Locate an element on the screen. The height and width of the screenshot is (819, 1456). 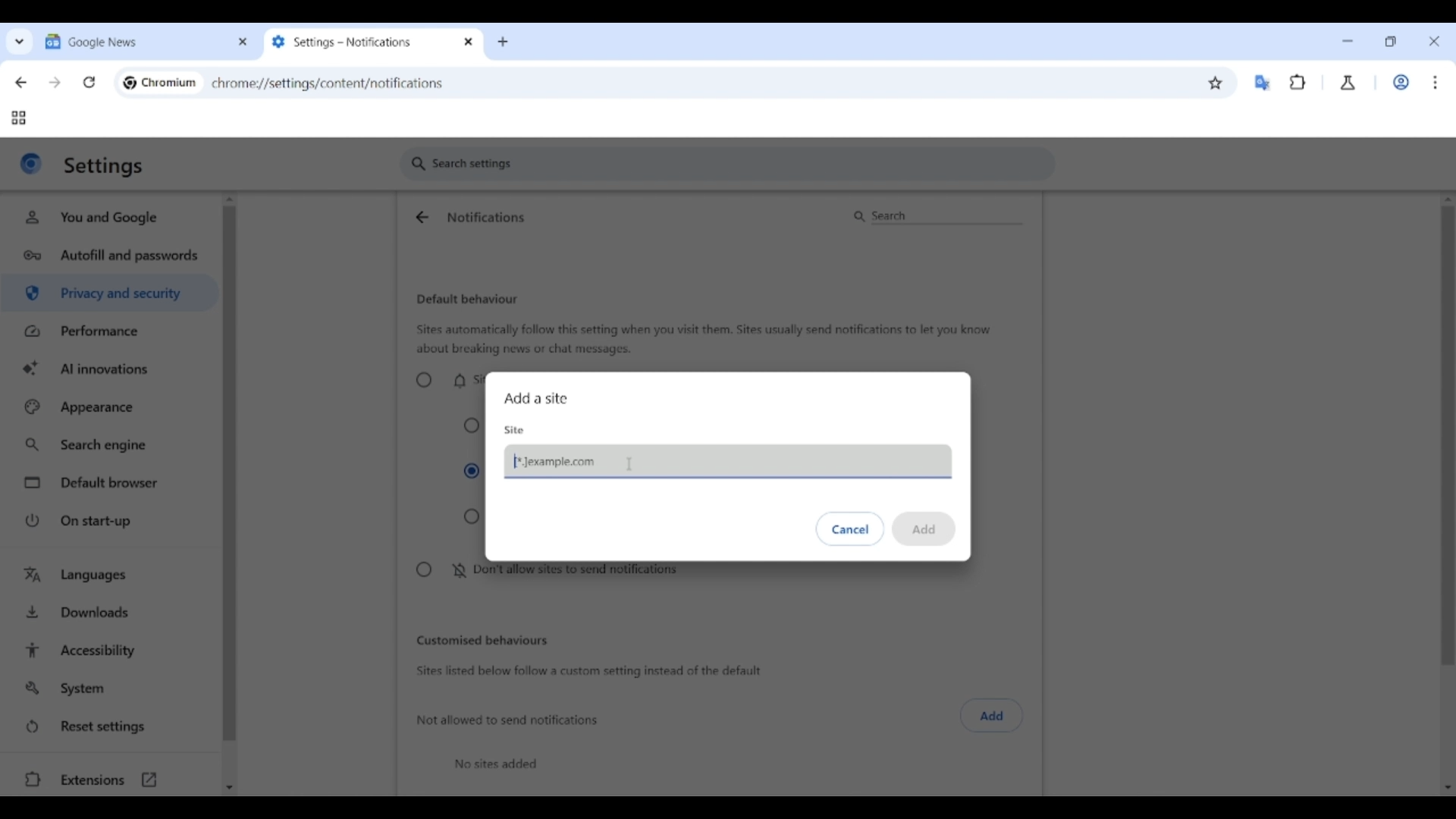
Discard inputs made is located at coordinates (851, 529).